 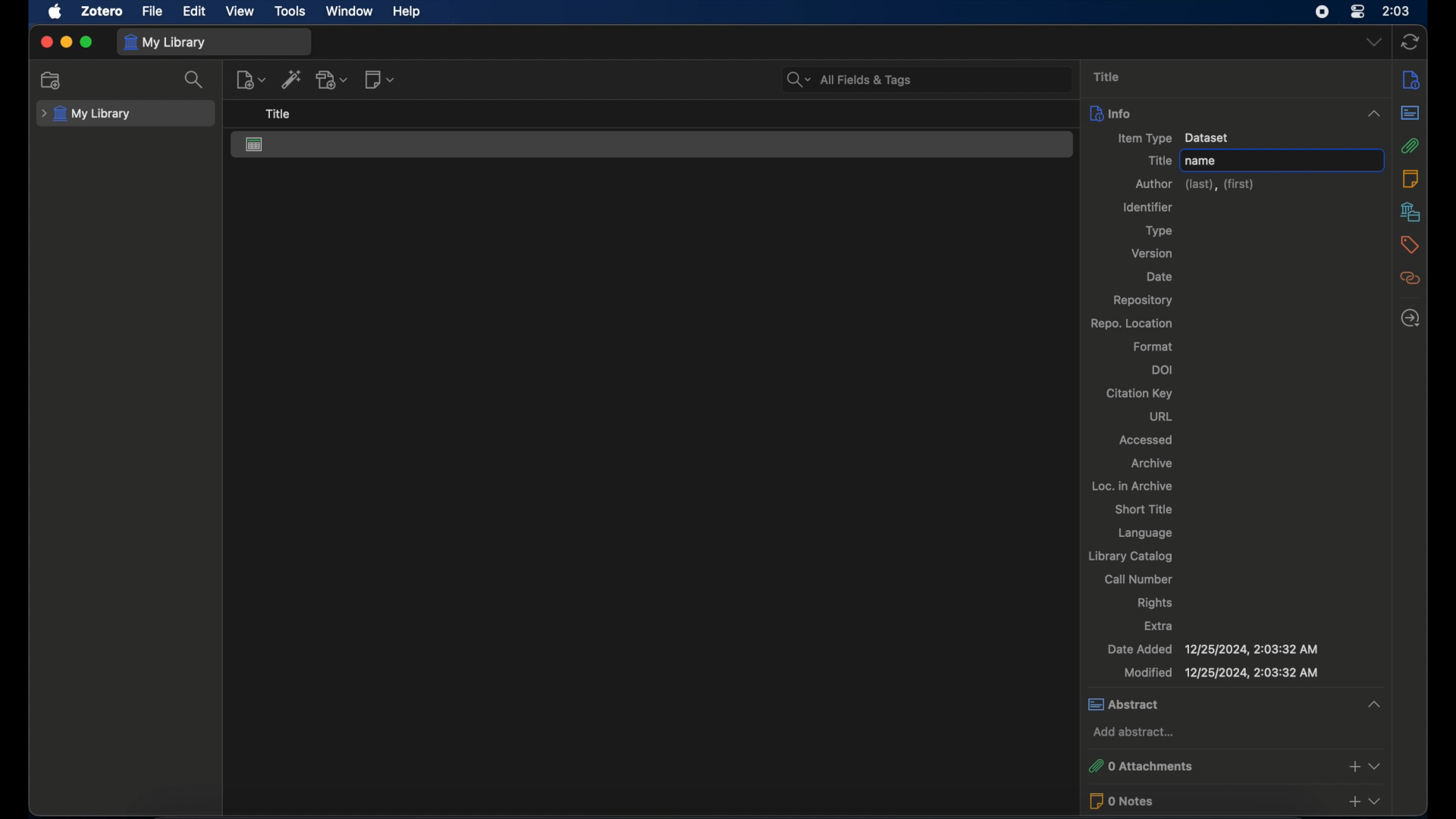 I want to click on help, so click(x=406, y=11).